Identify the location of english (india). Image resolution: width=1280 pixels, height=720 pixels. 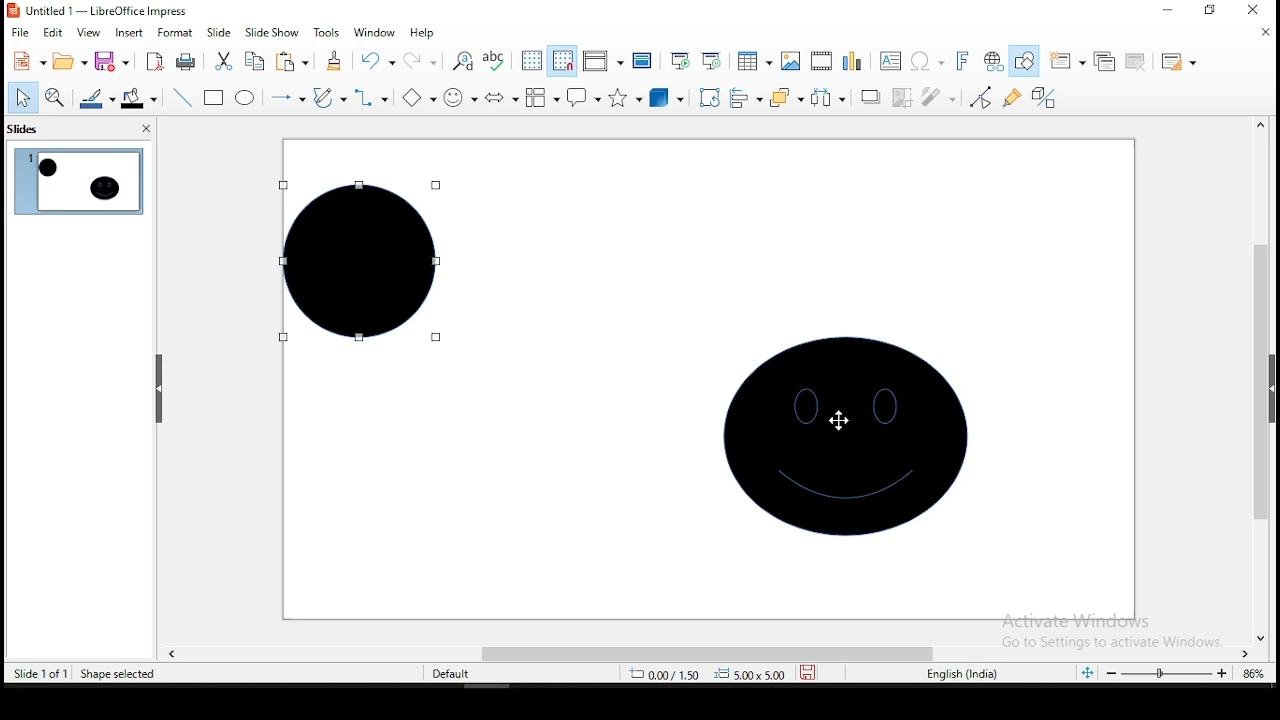
(967, 674).